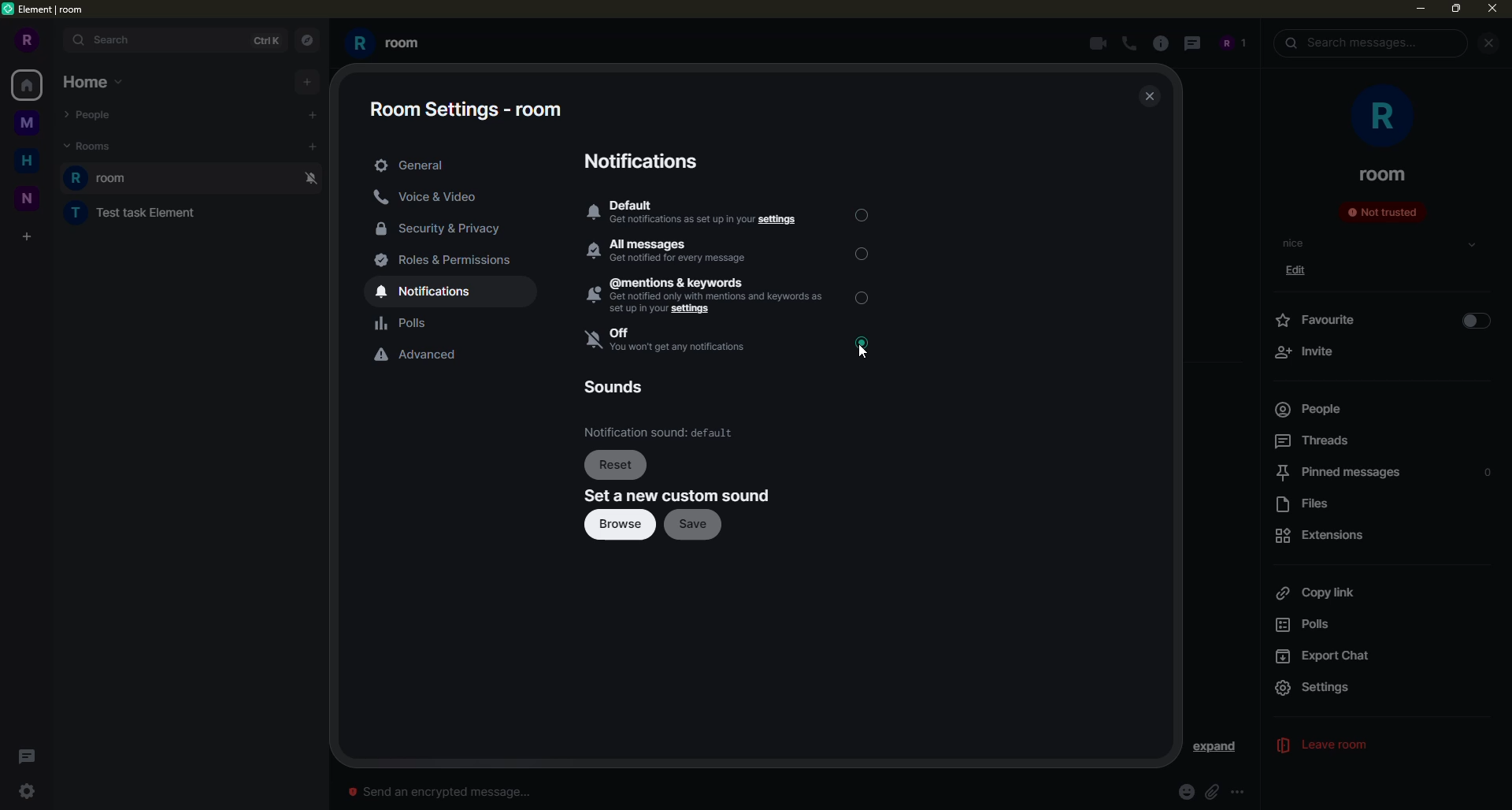 This screenshot has height=810, width=1512. Describe the element at coordinates (680, 496) in the screenshot. I see `set new custom sound` at that location.